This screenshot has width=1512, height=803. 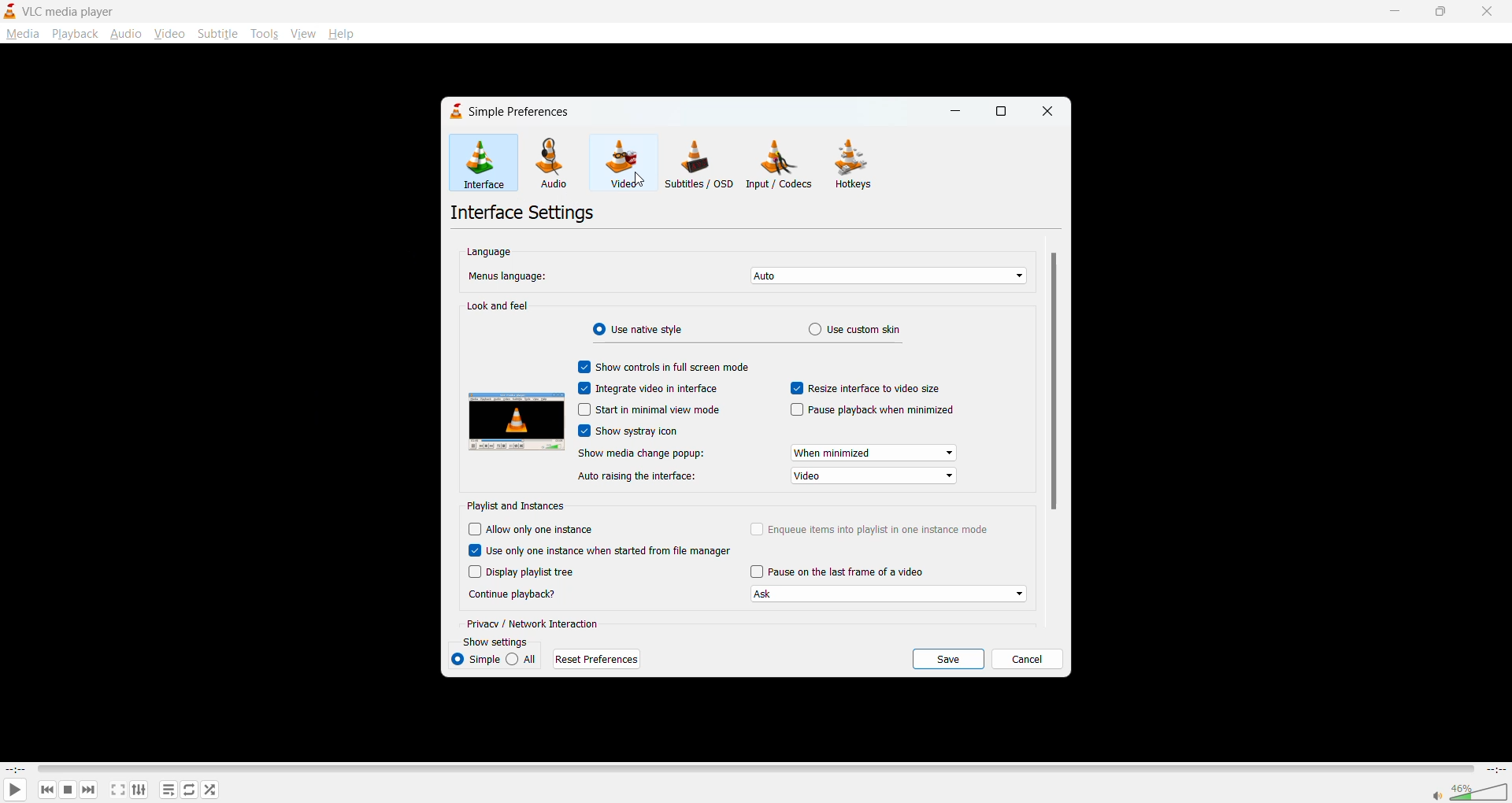 I want to click on continue playback, so click(x=513, y=593).